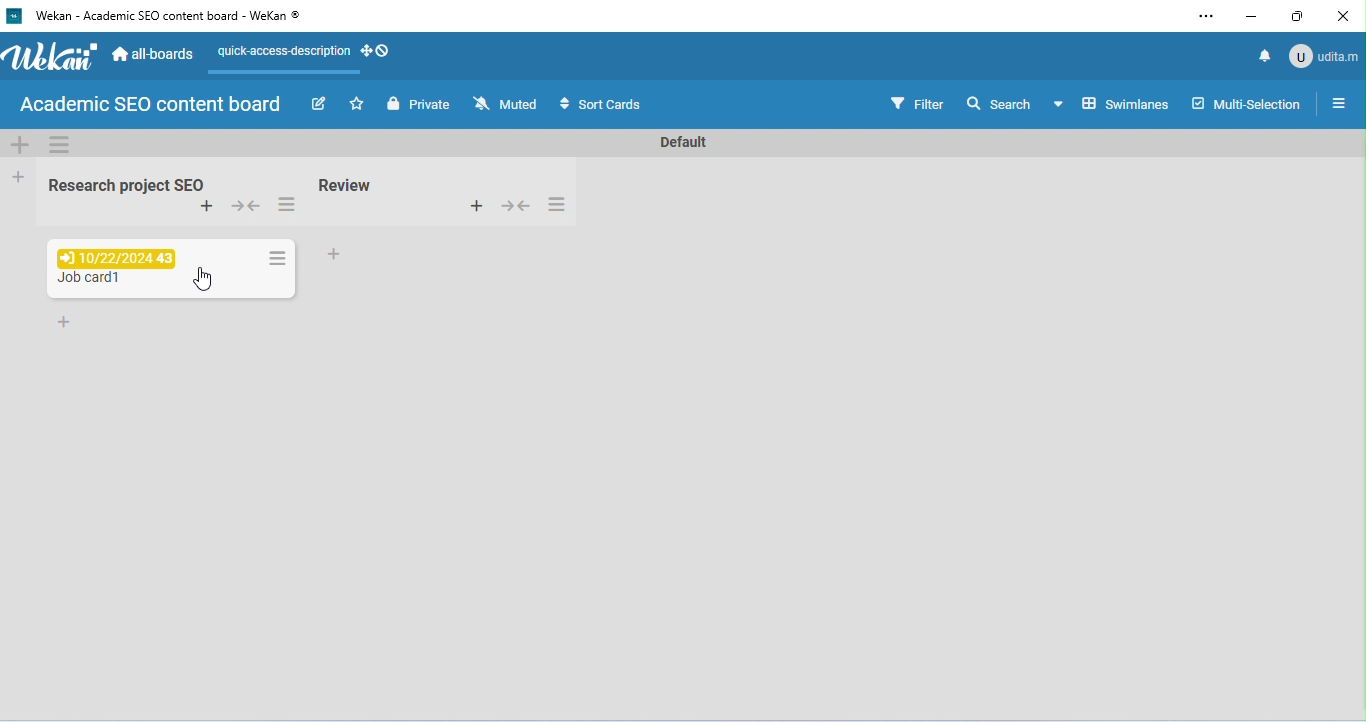 This screenshot has width=1366, height=722. I want to click on add card to top of list, so click(475, 204).